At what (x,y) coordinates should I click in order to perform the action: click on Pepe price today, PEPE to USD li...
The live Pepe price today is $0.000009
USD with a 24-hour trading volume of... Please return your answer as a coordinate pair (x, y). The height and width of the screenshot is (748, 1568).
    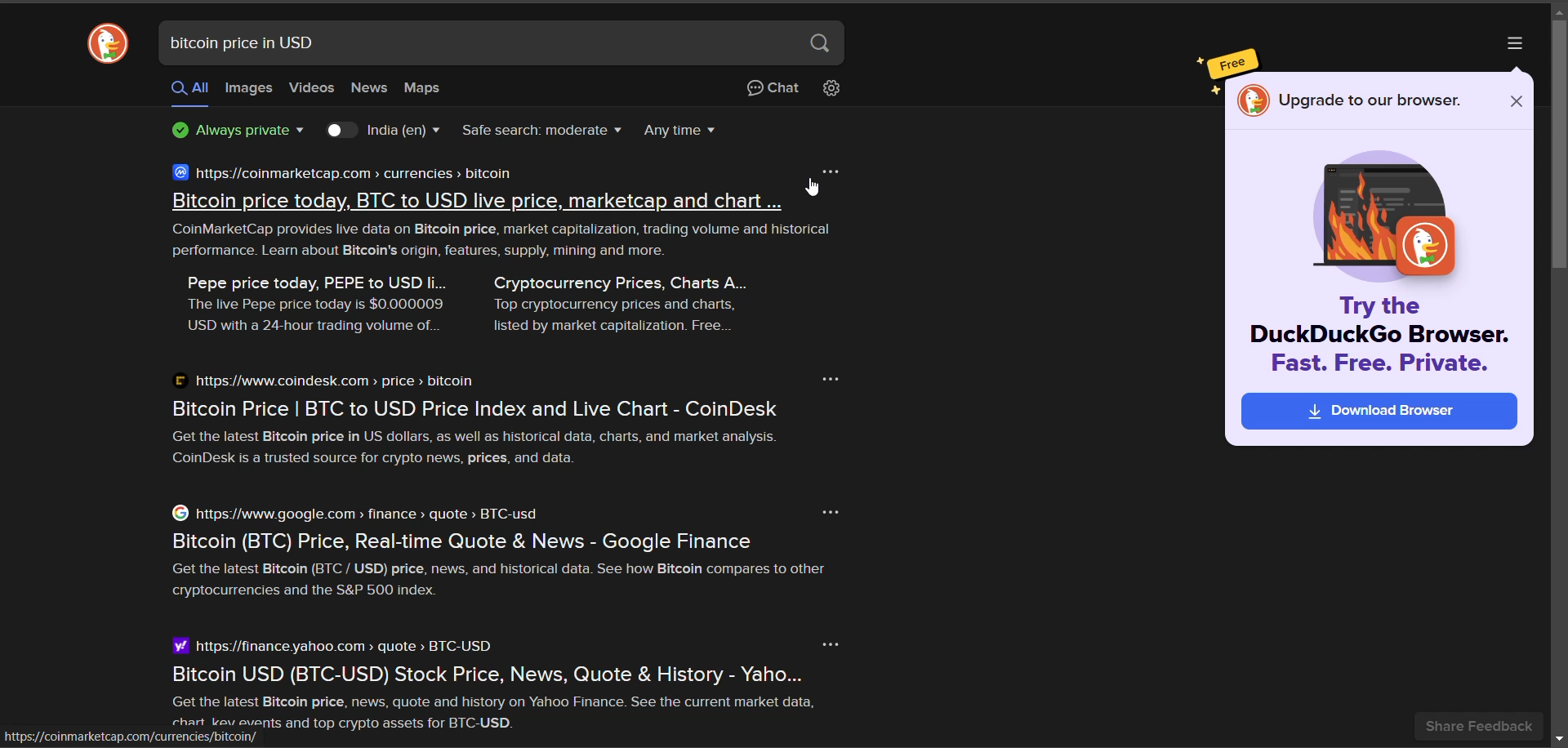
    Looking at the image, I should click on (326, 307).